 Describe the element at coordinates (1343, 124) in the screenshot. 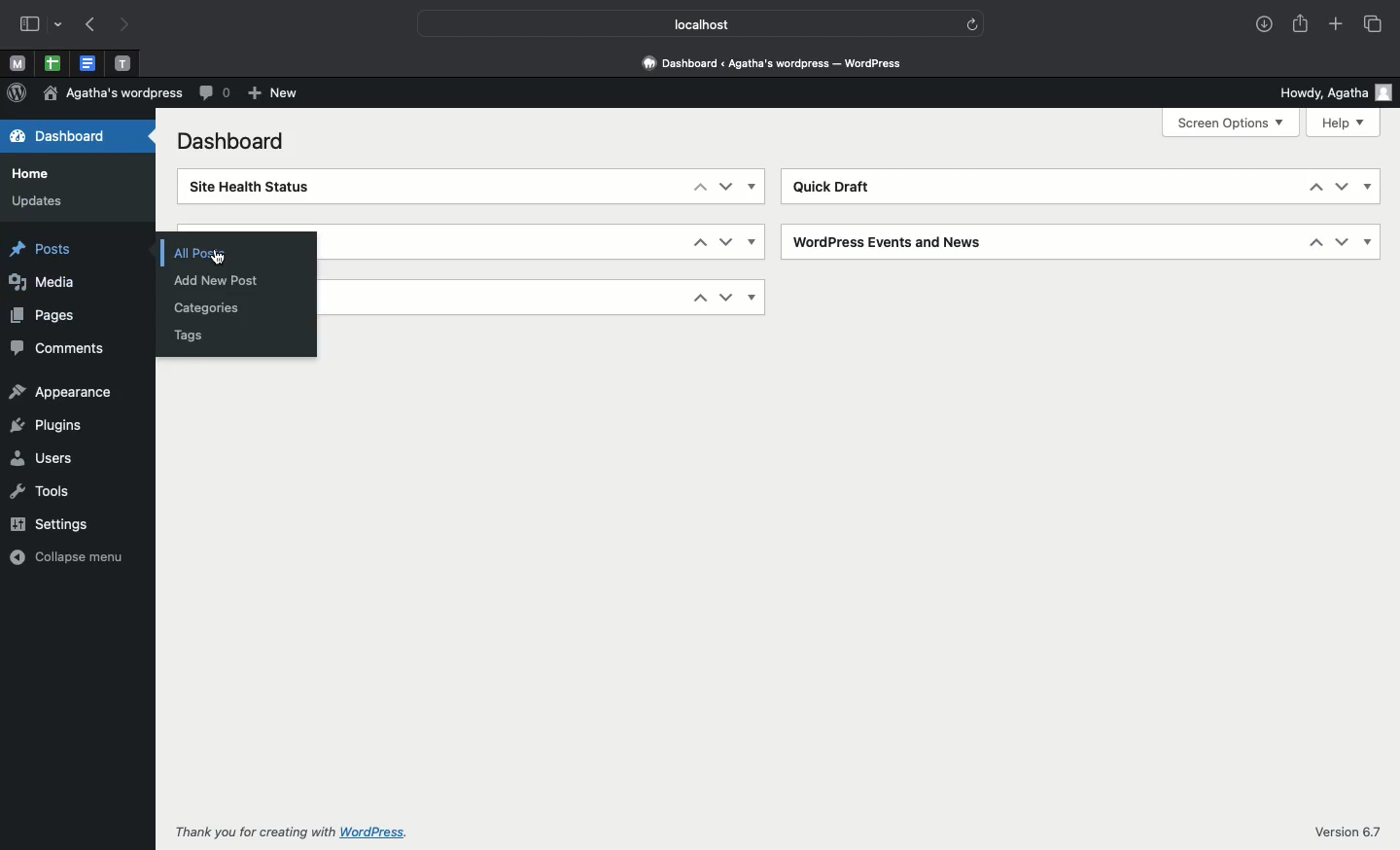

I see `Help` at that location.